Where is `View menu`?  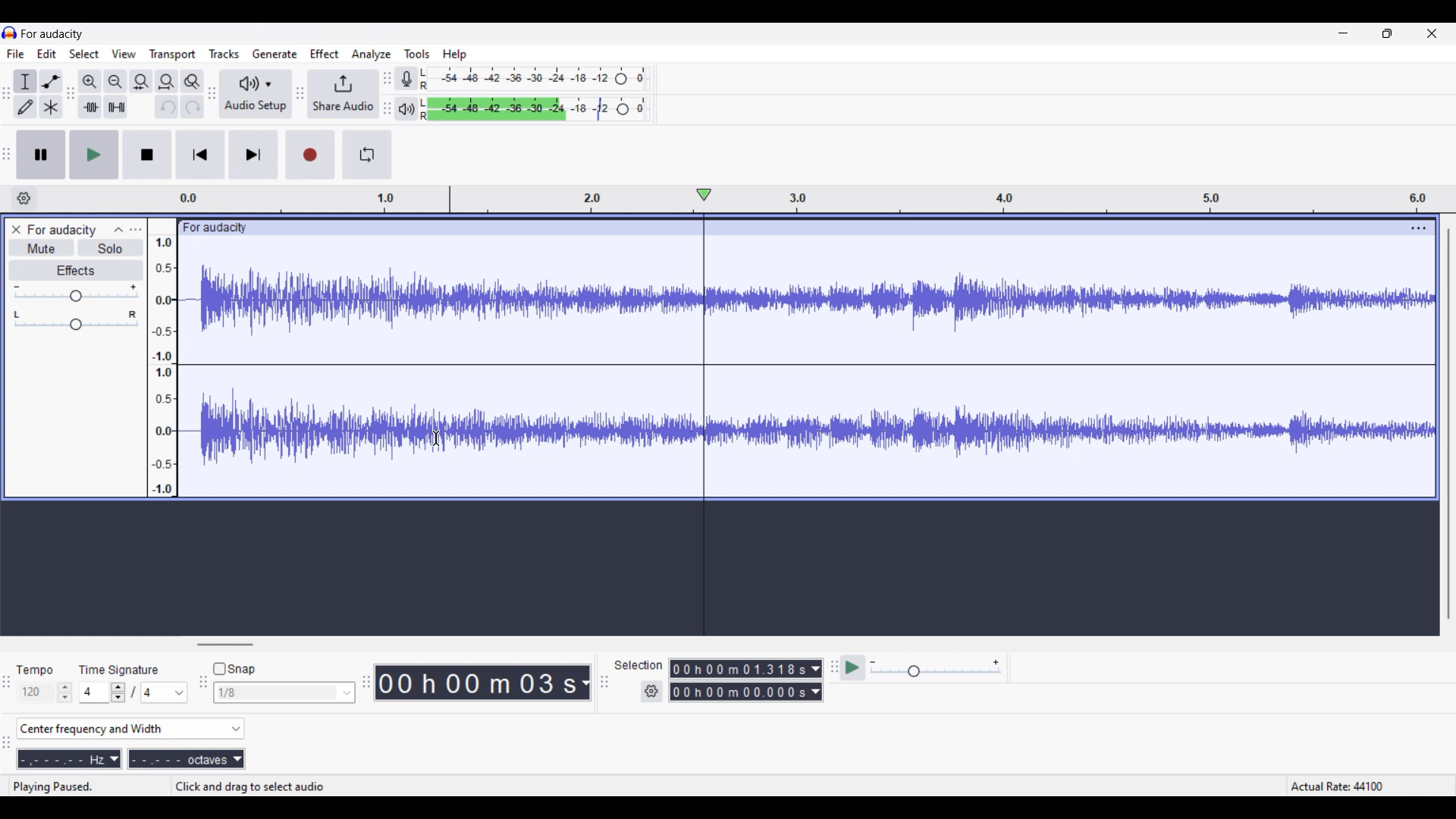 View menu is located at coordinates (124, 53).